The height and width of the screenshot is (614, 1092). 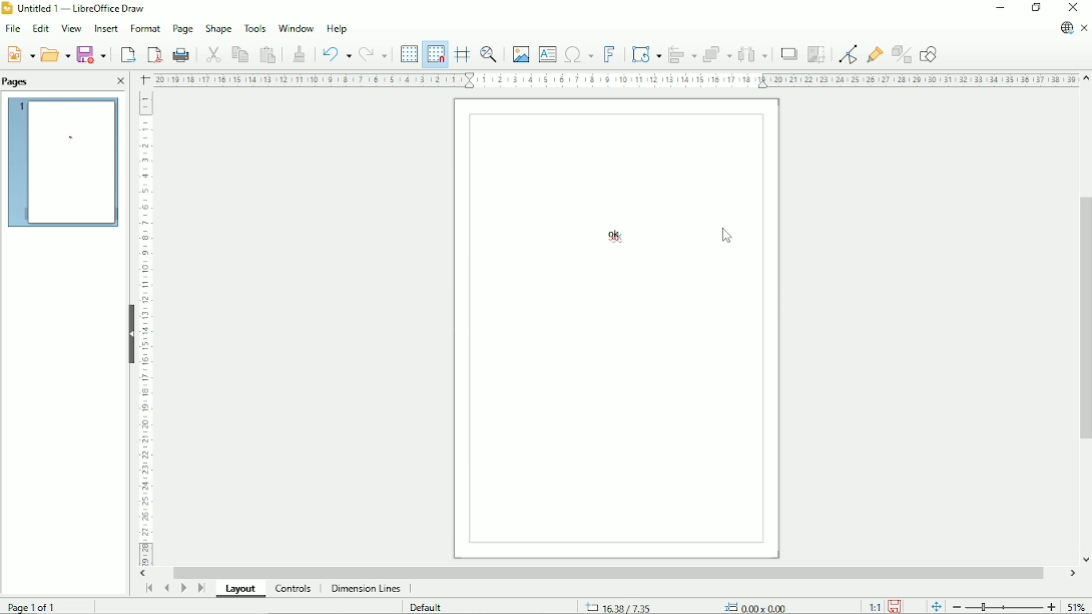 I want to click on Scroll to next page, so click(x=183, y=588).